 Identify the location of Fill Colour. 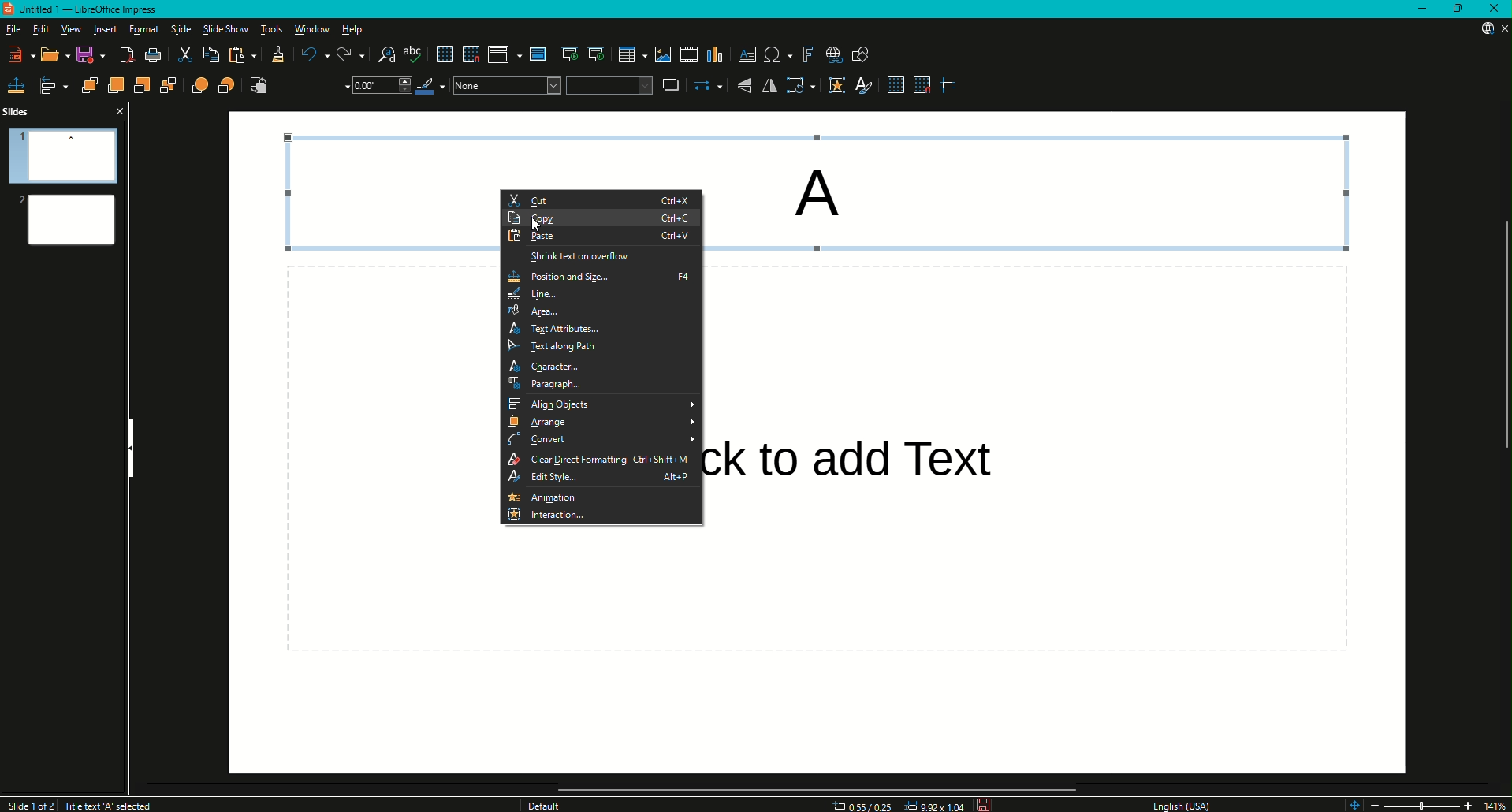
(607, 85).